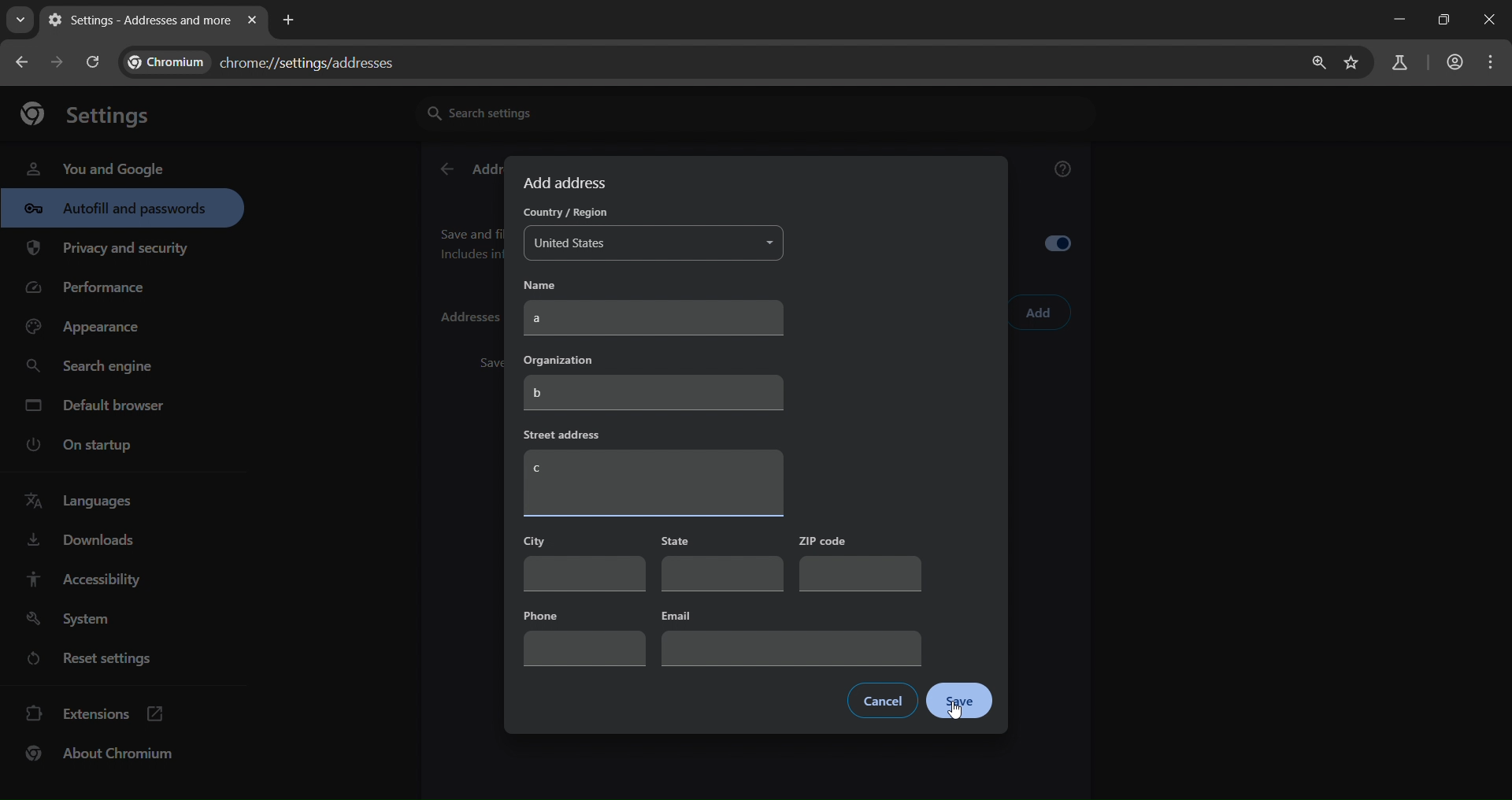  What do you see at coordinates (654, 484) in the screenshot?
I see `c` at bounding box center [654, 484].